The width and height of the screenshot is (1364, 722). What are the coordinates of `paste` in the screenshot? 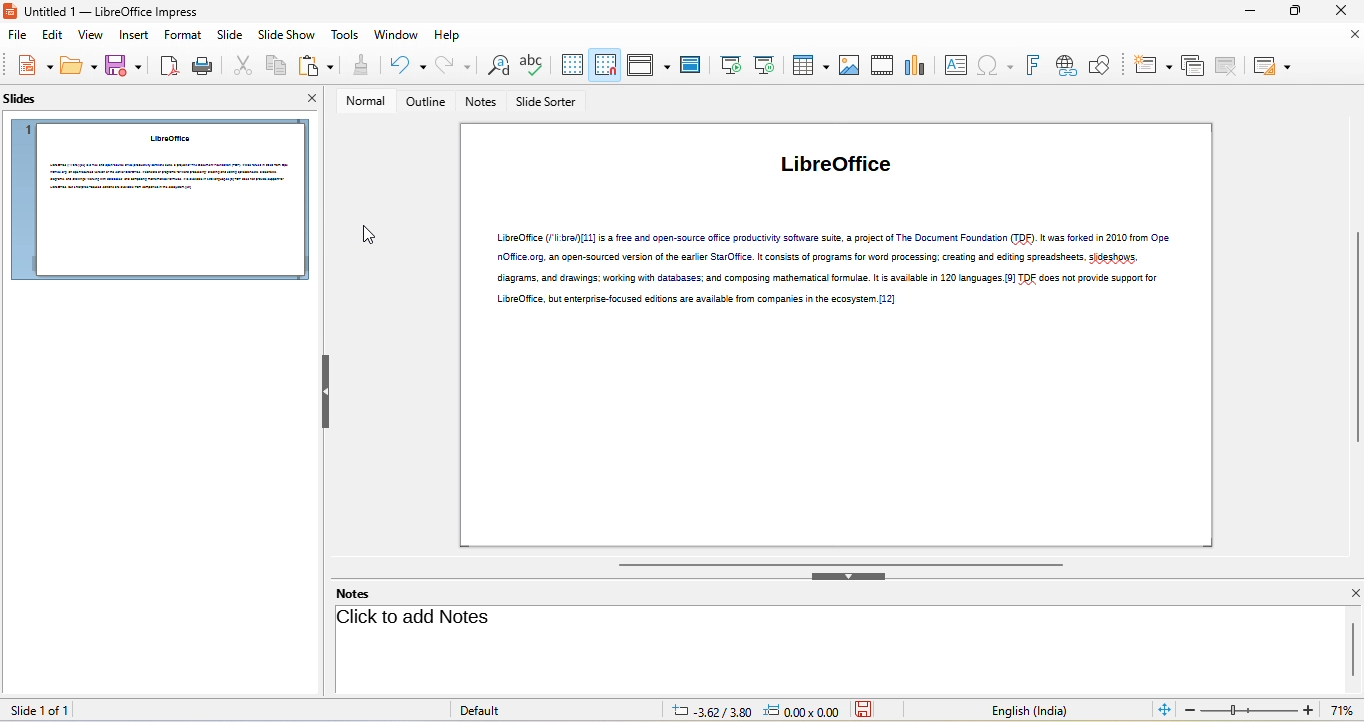 It's located at (314, 65).